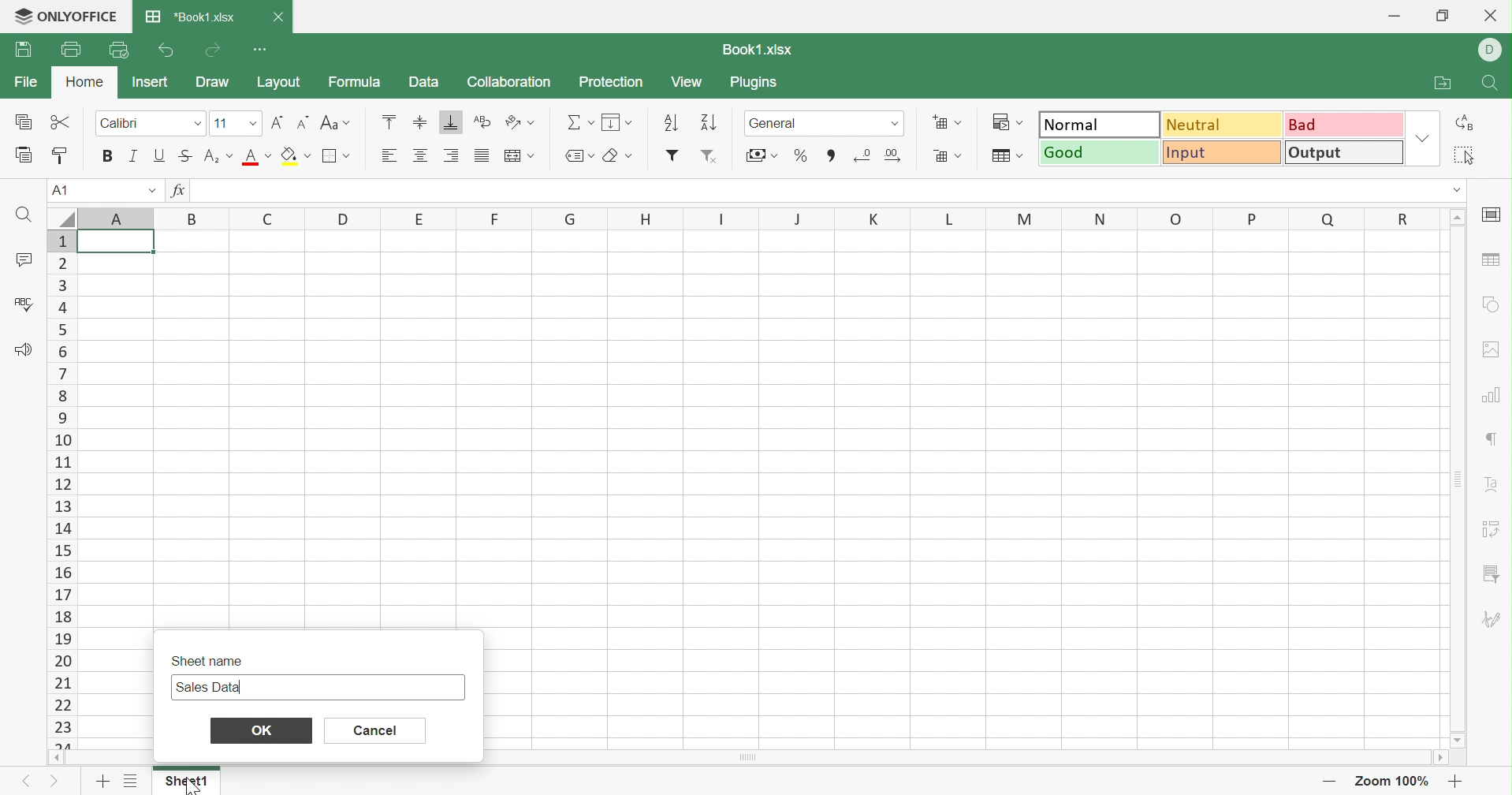 This screenshot has height=795, width=1512. Describe the element at coordinates (1492, 575) in the screenshot. I see `Filter menu` at that location.